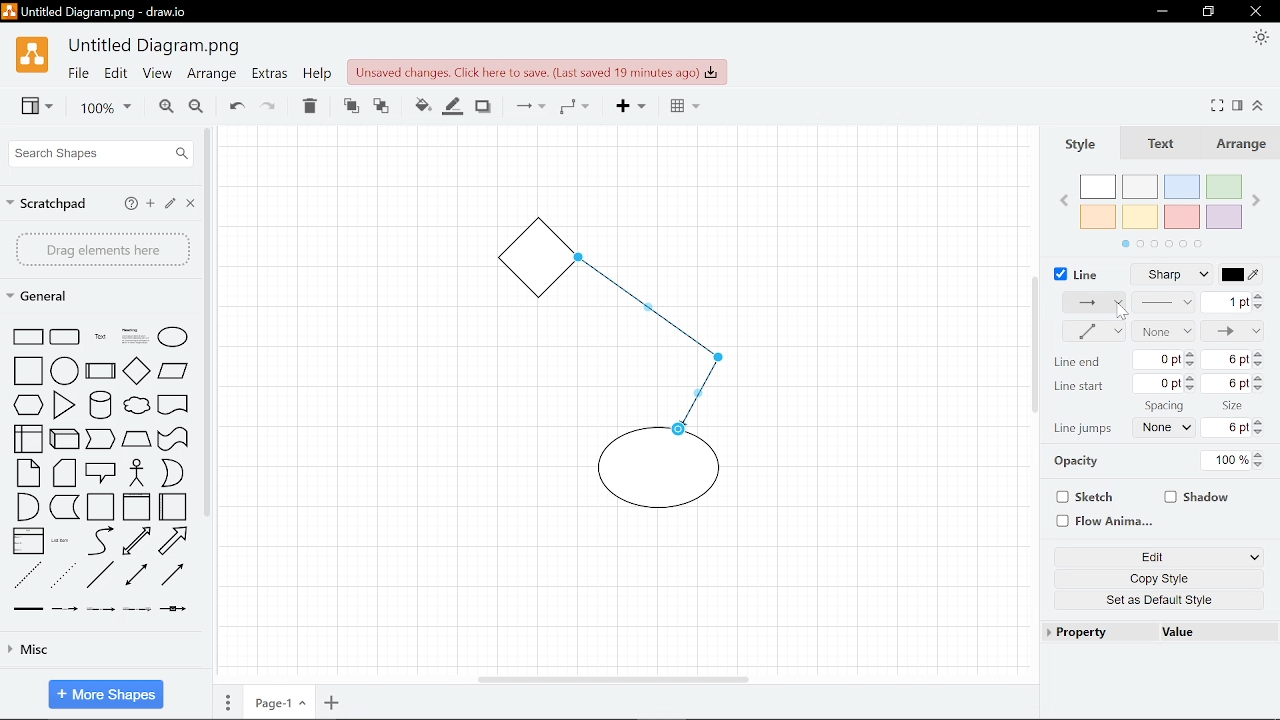  Describe the element at coordinates (418, 104) in the screenshot. I see `Fill color` at that location.